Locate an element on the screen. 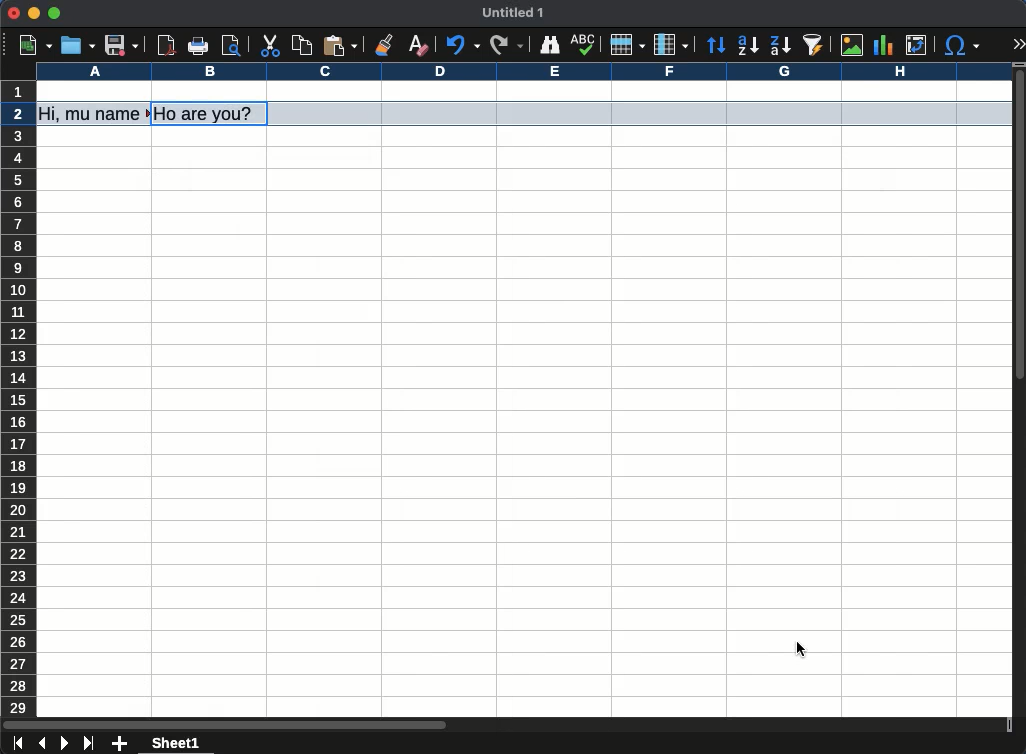 The width and height of the screenshot is (1026, 754). minimize is located at coordinates (33, 13).